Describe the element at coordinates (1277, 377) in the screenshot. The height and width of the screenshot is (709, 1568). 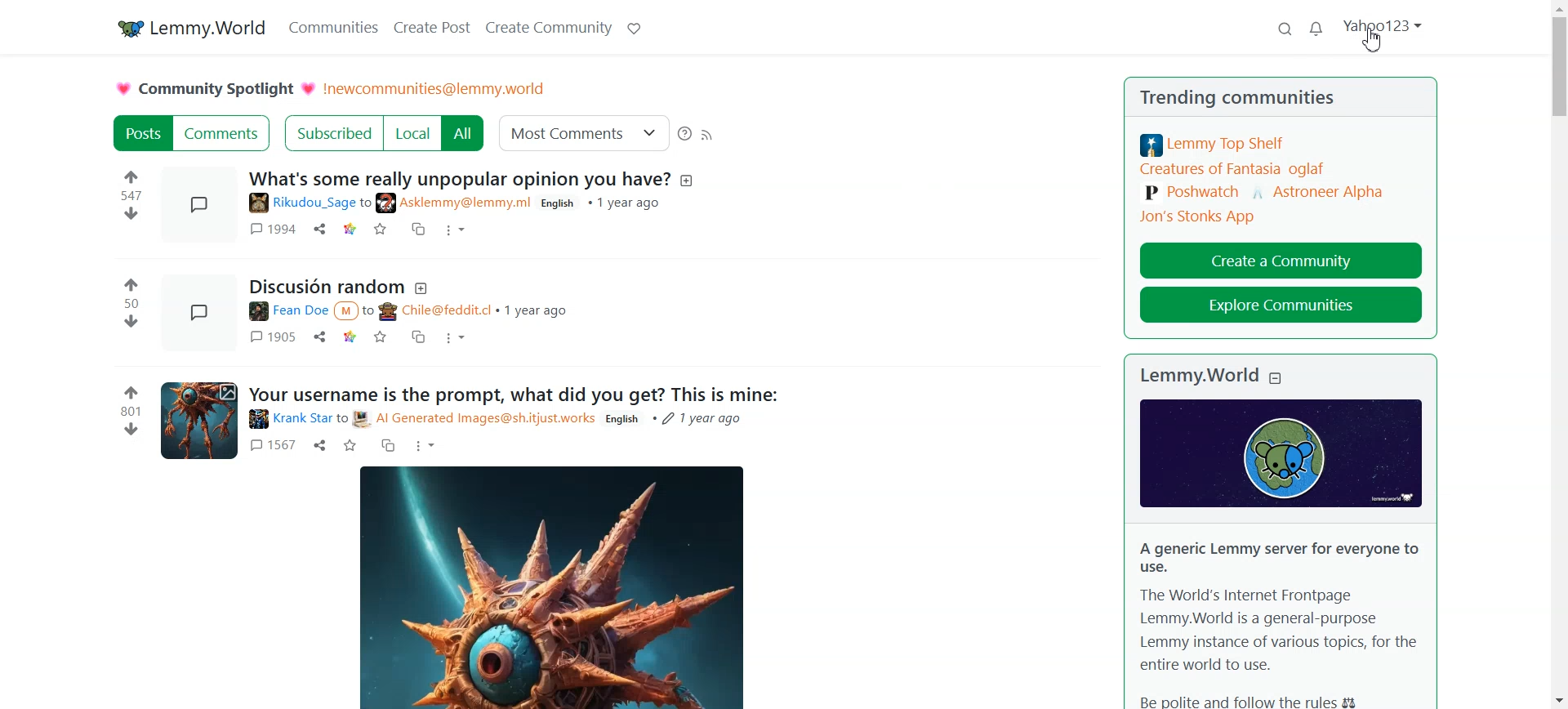
I see `Collapse` at that location.